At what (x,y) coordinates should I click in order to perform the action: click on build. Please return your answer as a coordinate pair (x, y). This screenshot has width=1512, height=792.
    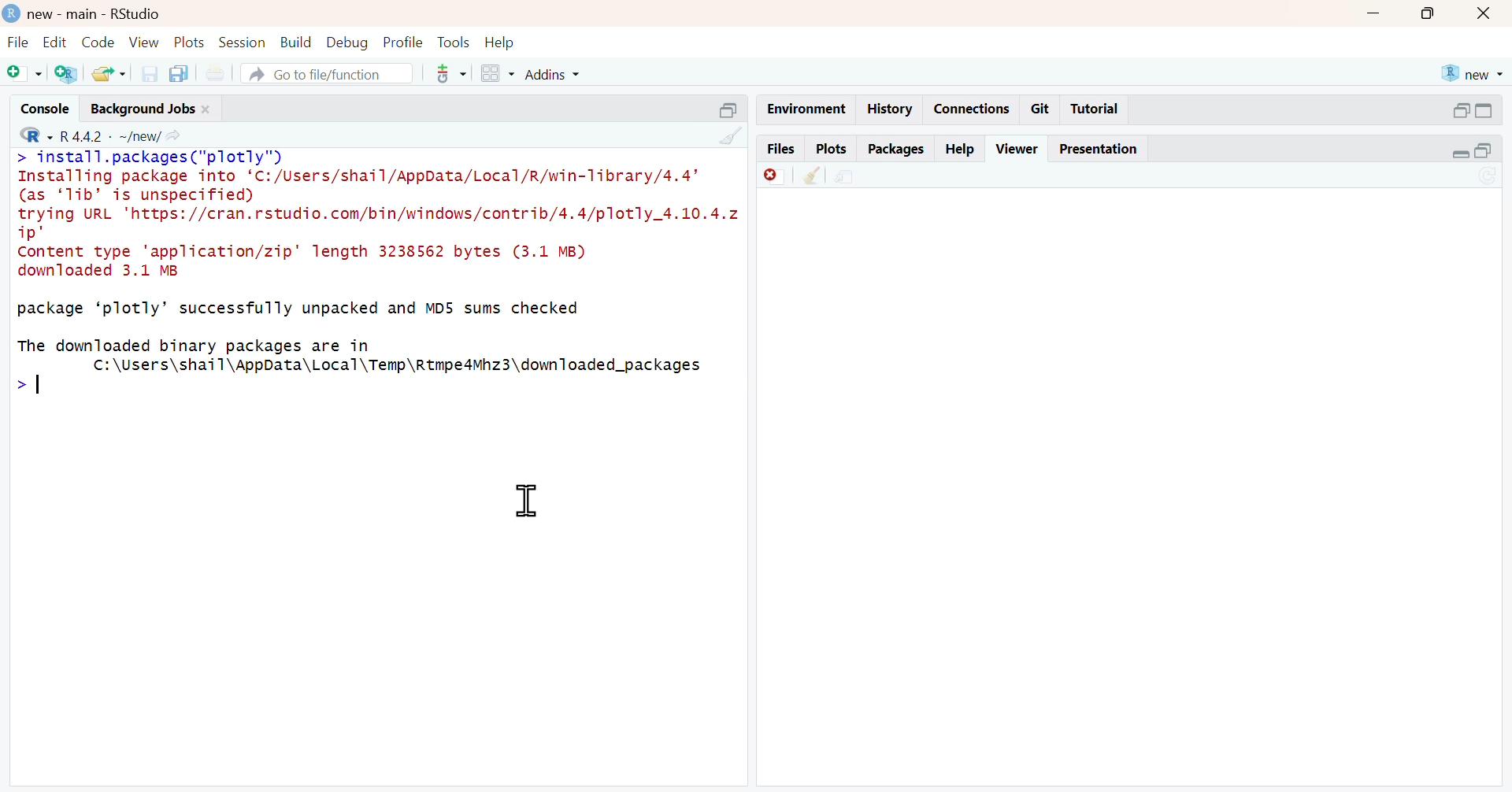
    Looking at the image, I should click on (297, 42).